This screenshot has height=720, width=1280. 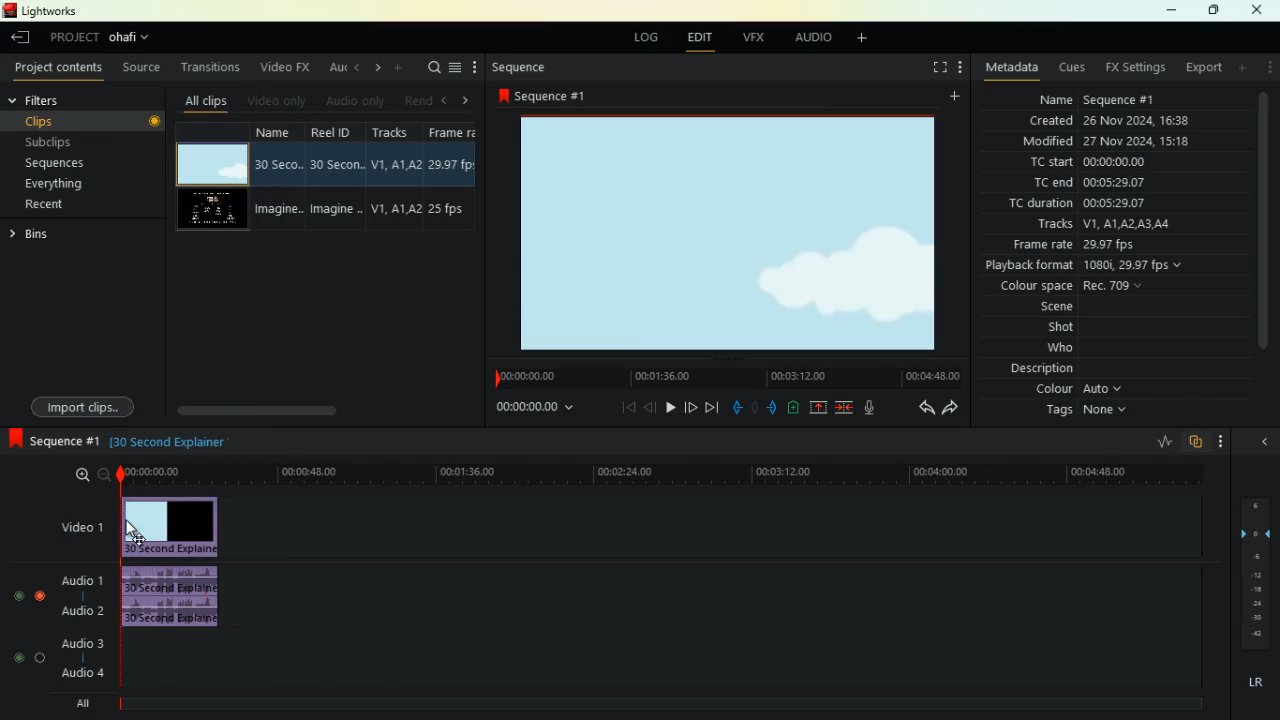 I want to click on colour space, so click(x=1071, y=287).